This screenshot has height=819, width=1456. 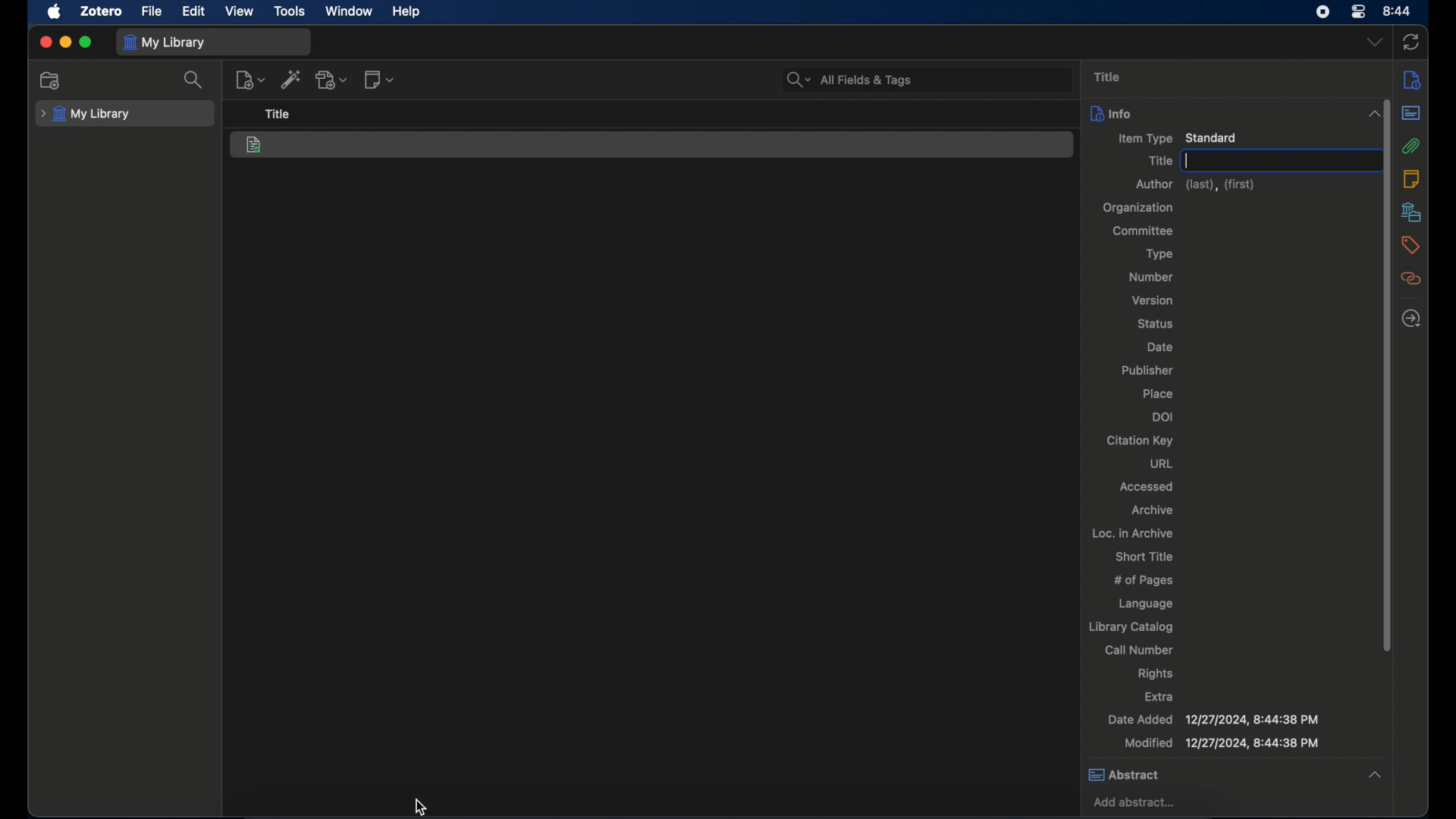 What do you see at coordinates (1360, 12) in the screenshot?
I see `control center` at bounding box center [1360, 12].